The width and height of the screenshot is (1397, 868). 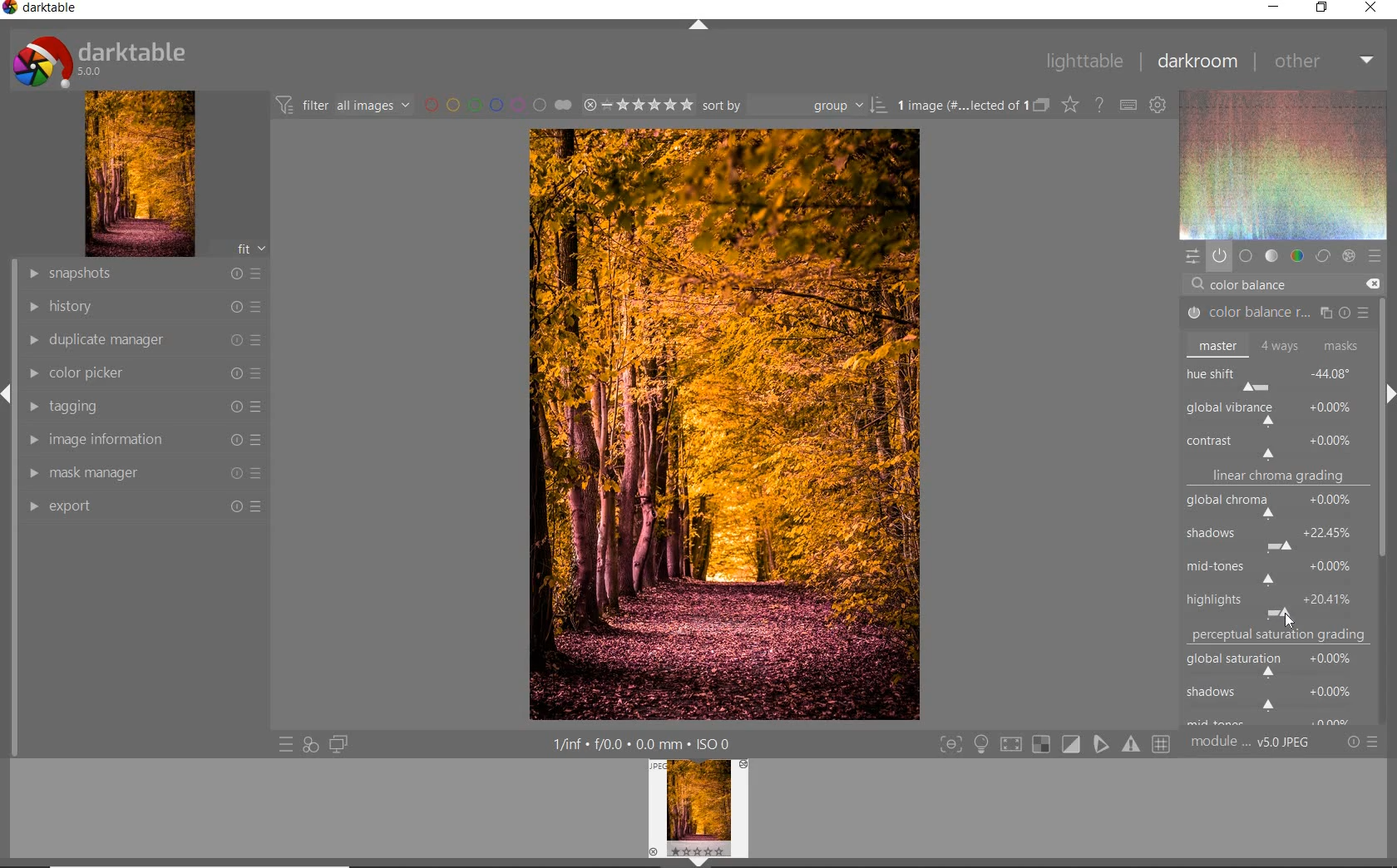 What do you see at coordinates (285, 742) in the screenshot?
I see `quick access to preset` at bounding box center [285, 742].